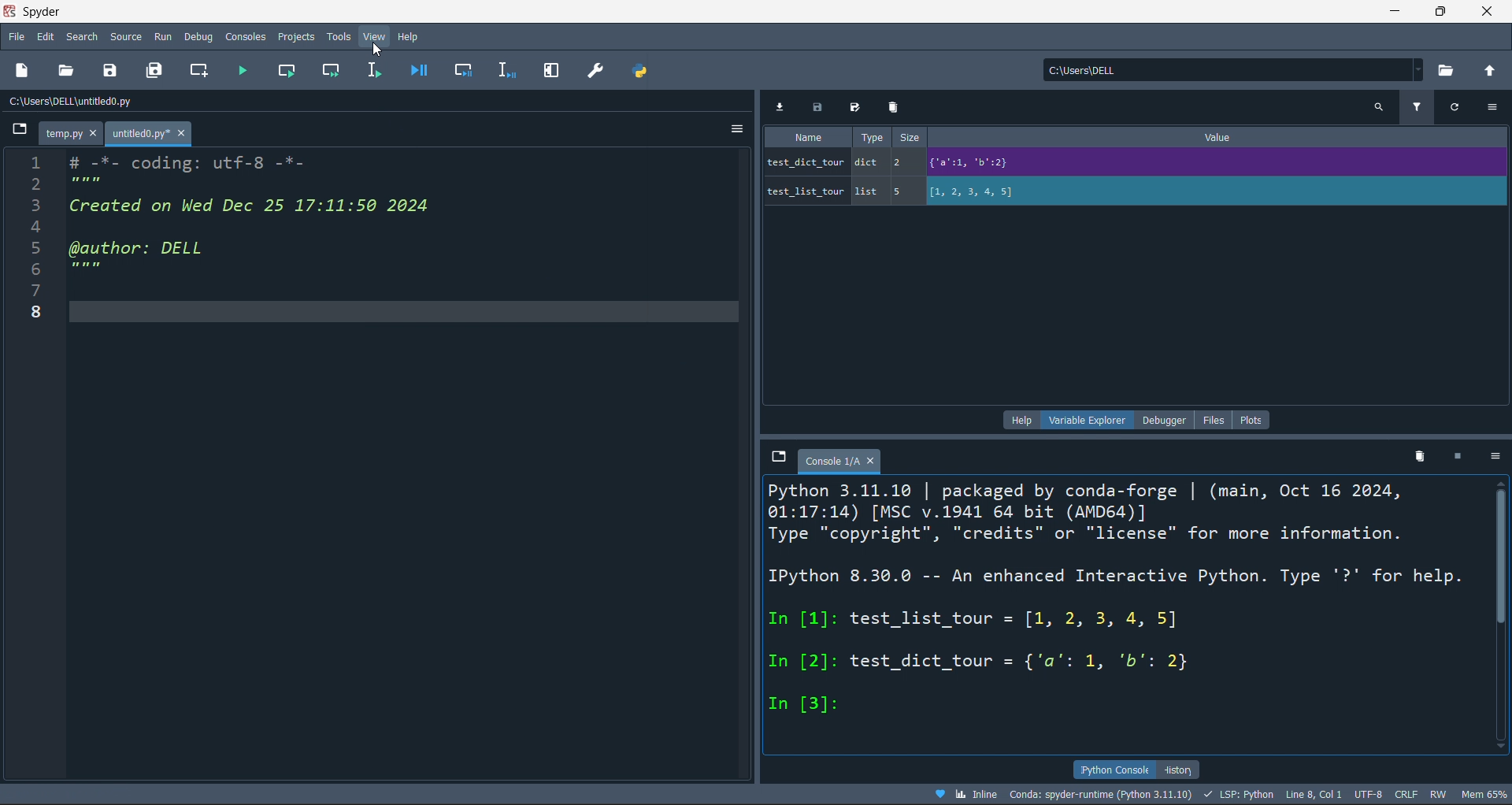 This screenshot has height=805, width=1512. What do you see at coordinates (506, 71) in the screenshot?
I see `debug line` at bounding box center [506, 71].